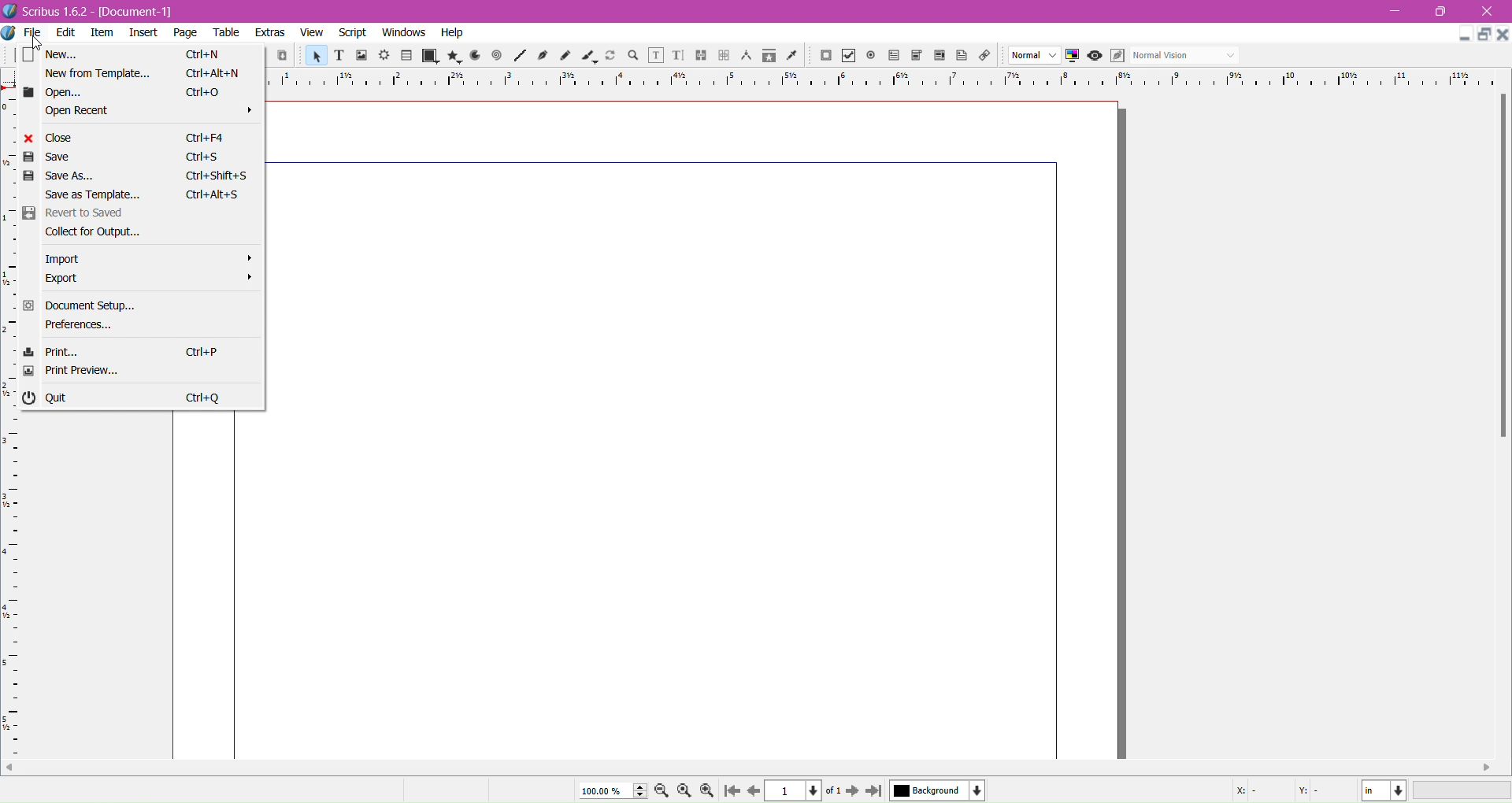 The image size is (1512, 803). Describe the element at coordinates (699, 57) in the screenshot. I see `Link Text Frame` at that location.